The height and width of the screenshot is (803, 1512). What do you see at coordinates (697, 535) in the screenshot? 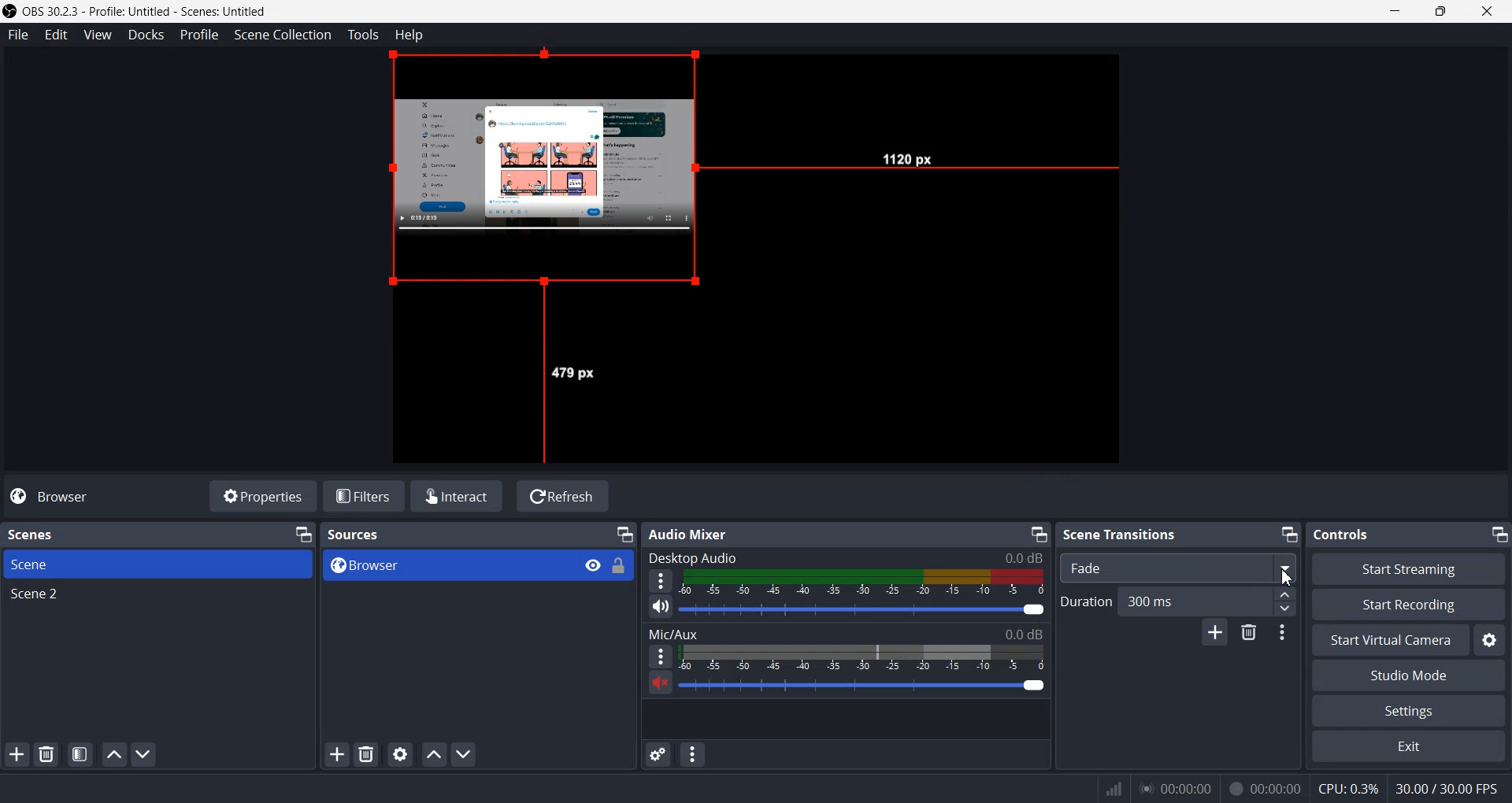
I see `Text` at bounding box center [697, 535].